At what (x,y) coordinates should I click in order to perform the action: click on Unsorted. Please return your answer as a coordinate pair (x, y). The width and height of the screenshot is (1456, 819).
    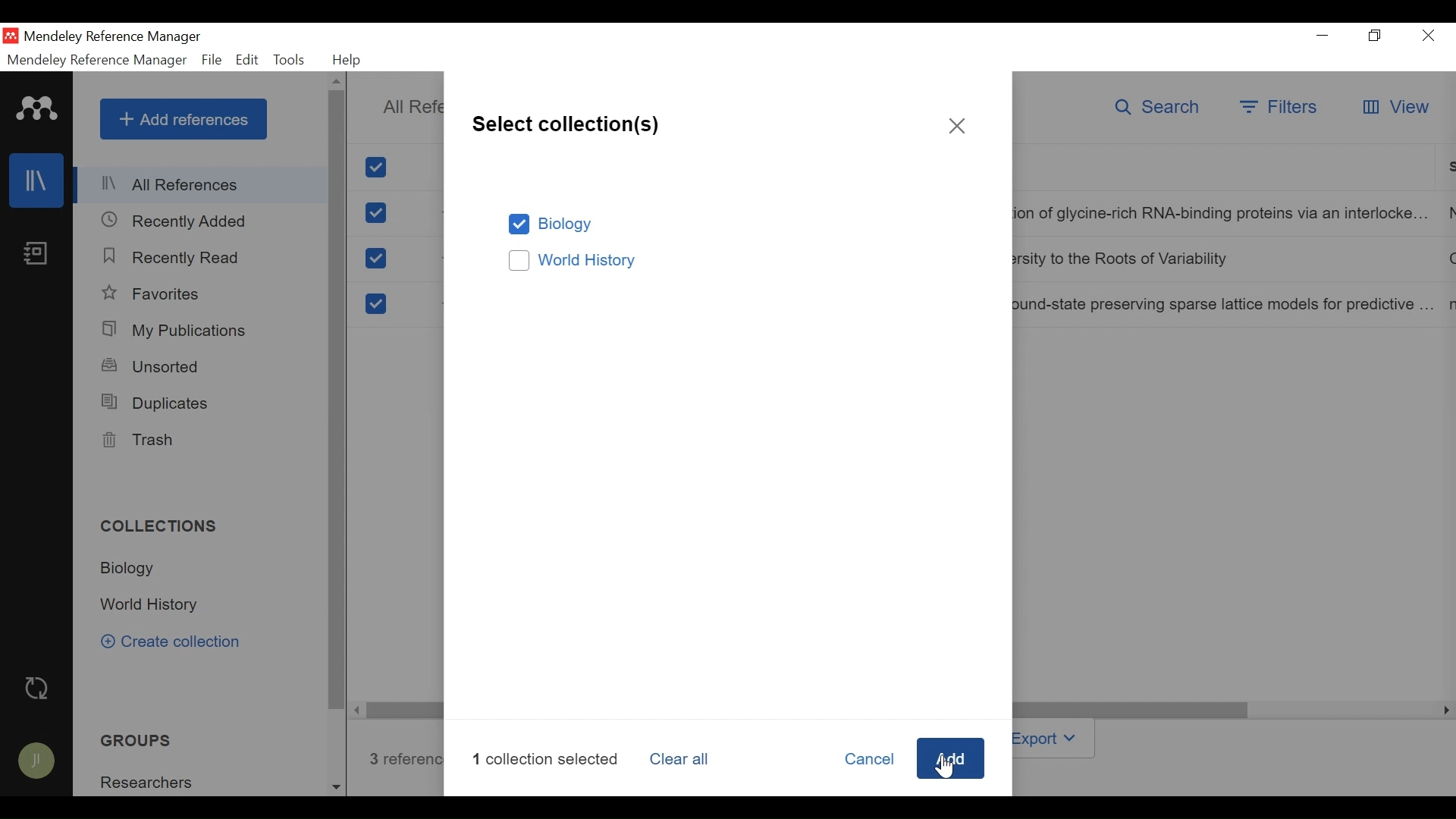
    Looking at the image, I should click on (153, 366).